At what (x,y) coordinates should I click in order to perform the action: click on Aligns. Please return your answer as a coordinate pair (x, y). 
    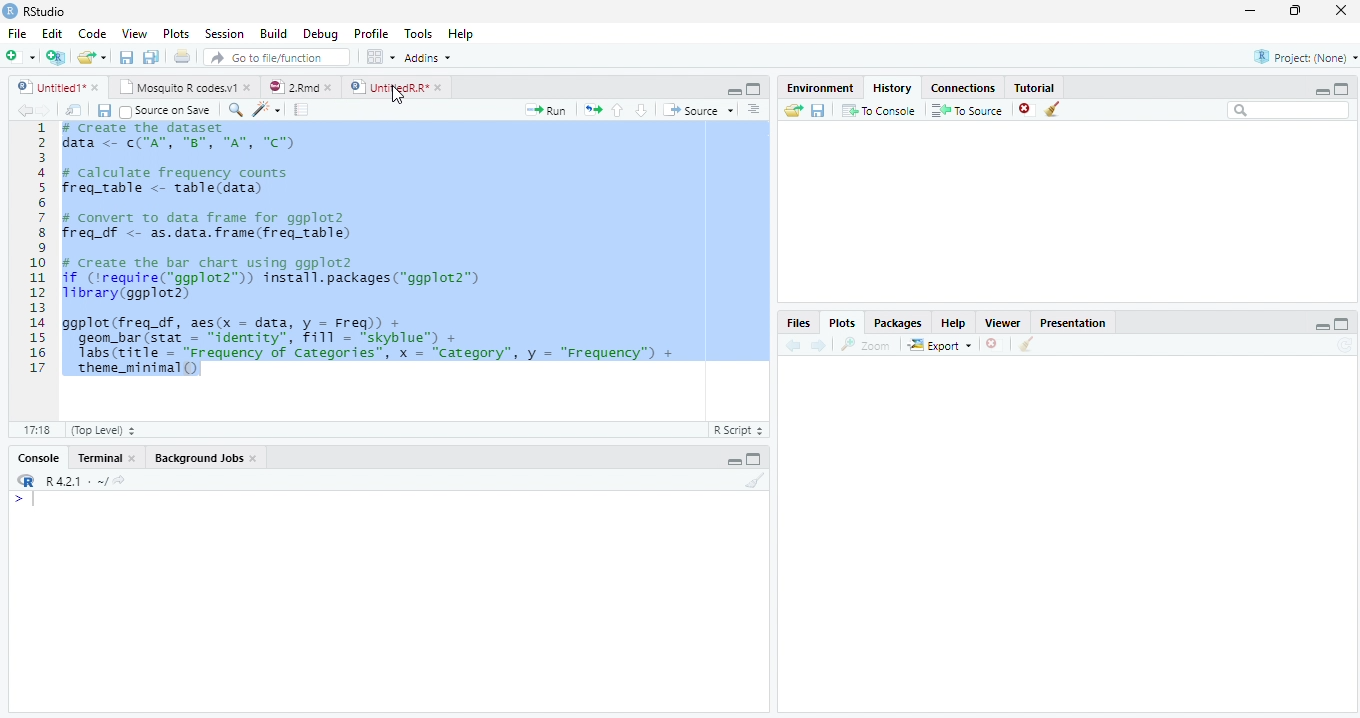
    Looking at the image, I should click on (755, 110).